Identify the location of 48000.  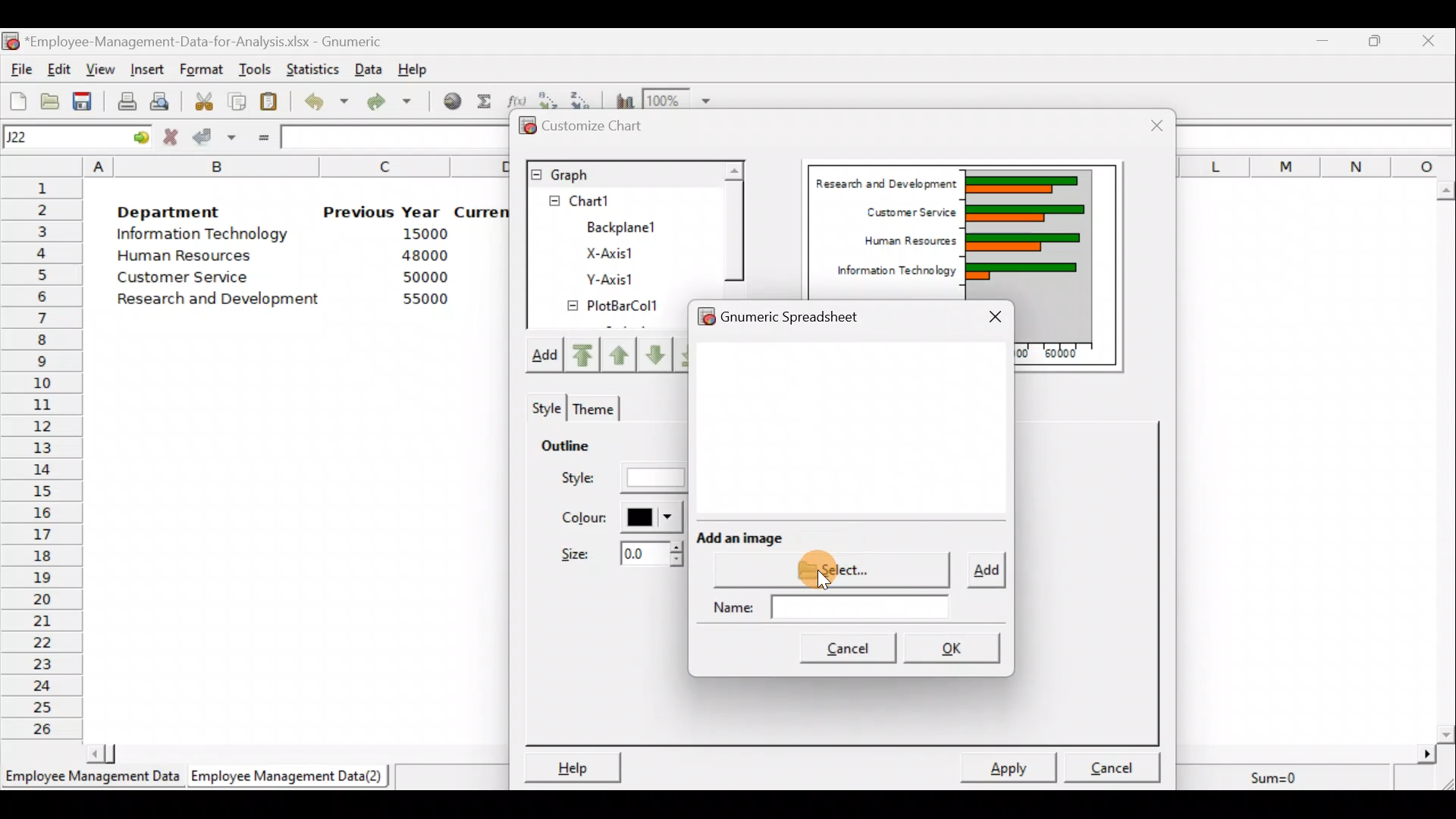
(424, 257).